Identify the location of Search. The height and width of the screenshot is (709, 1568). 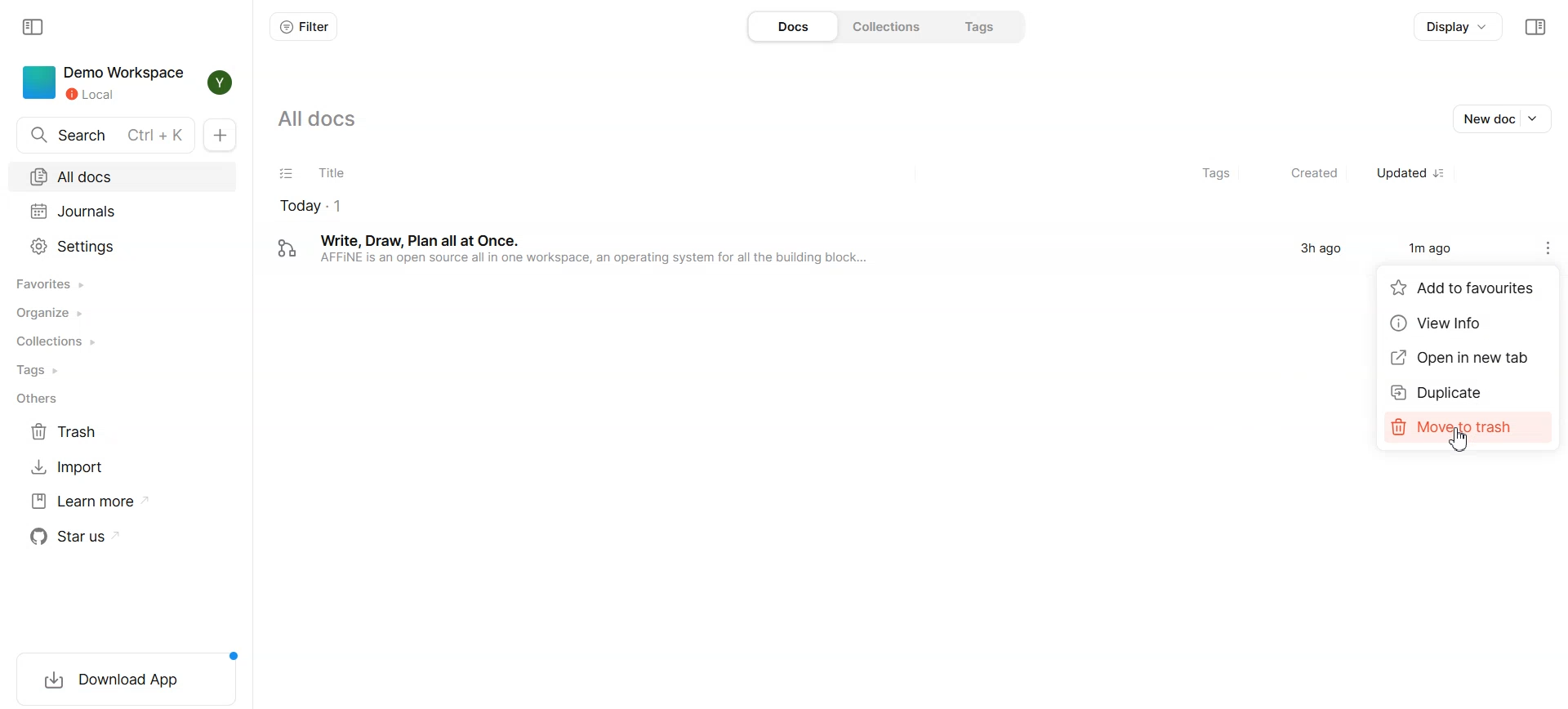
(106, 136).